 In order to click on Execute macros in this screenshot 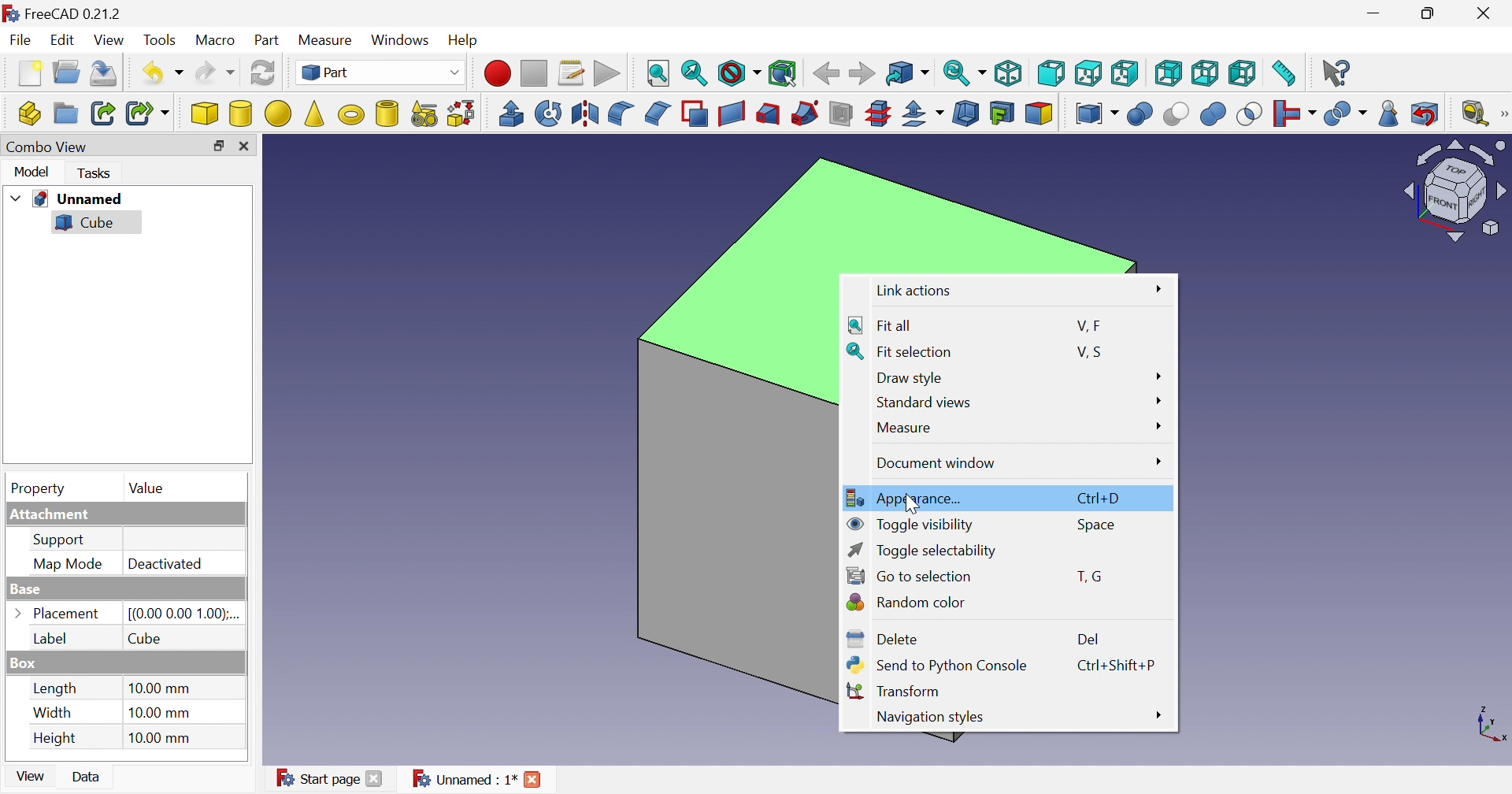, I will do `click(607, 72)`.